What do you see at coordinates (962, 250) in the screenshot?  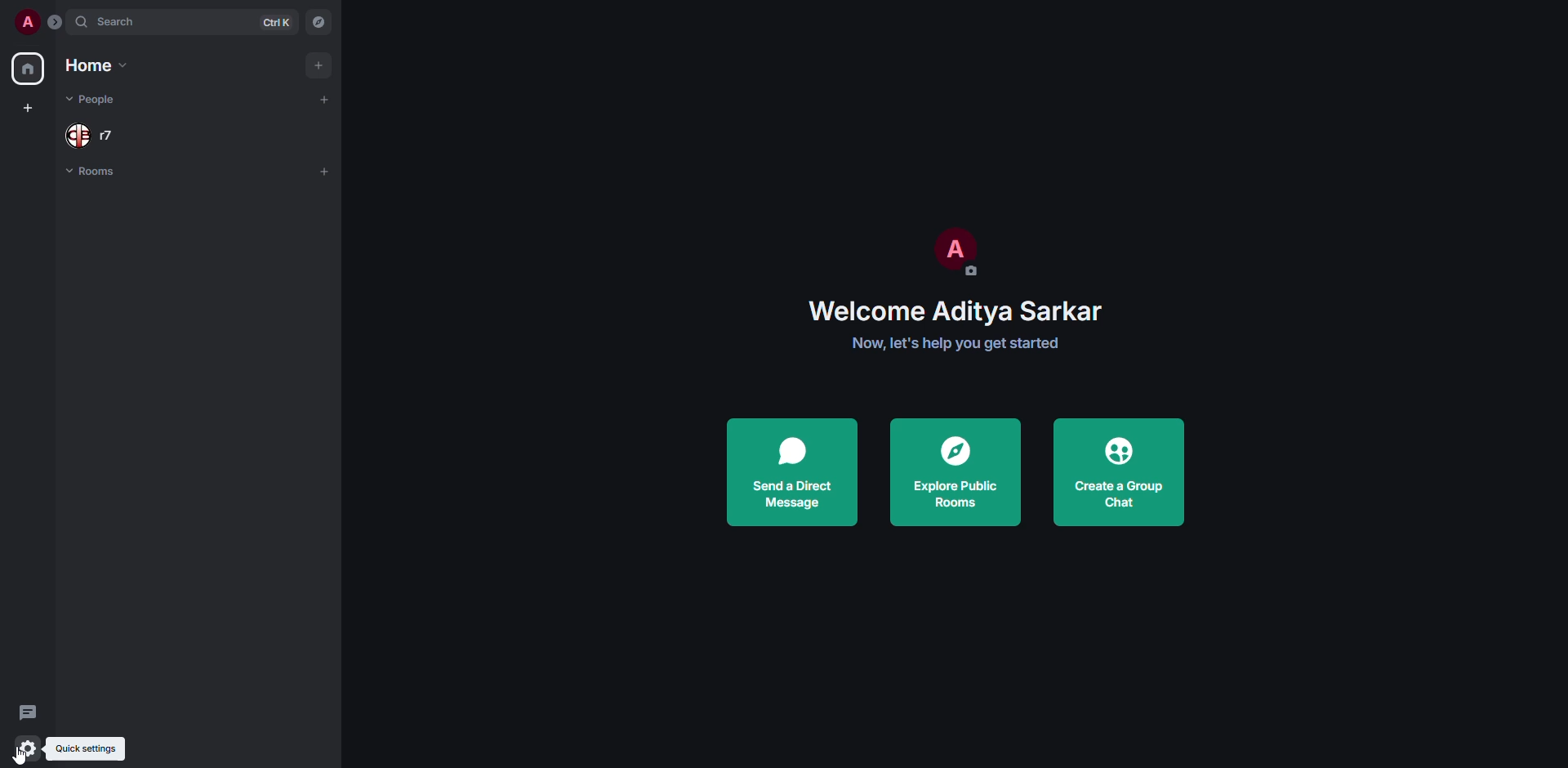 I see `profile` at bounding box center [962, 250].